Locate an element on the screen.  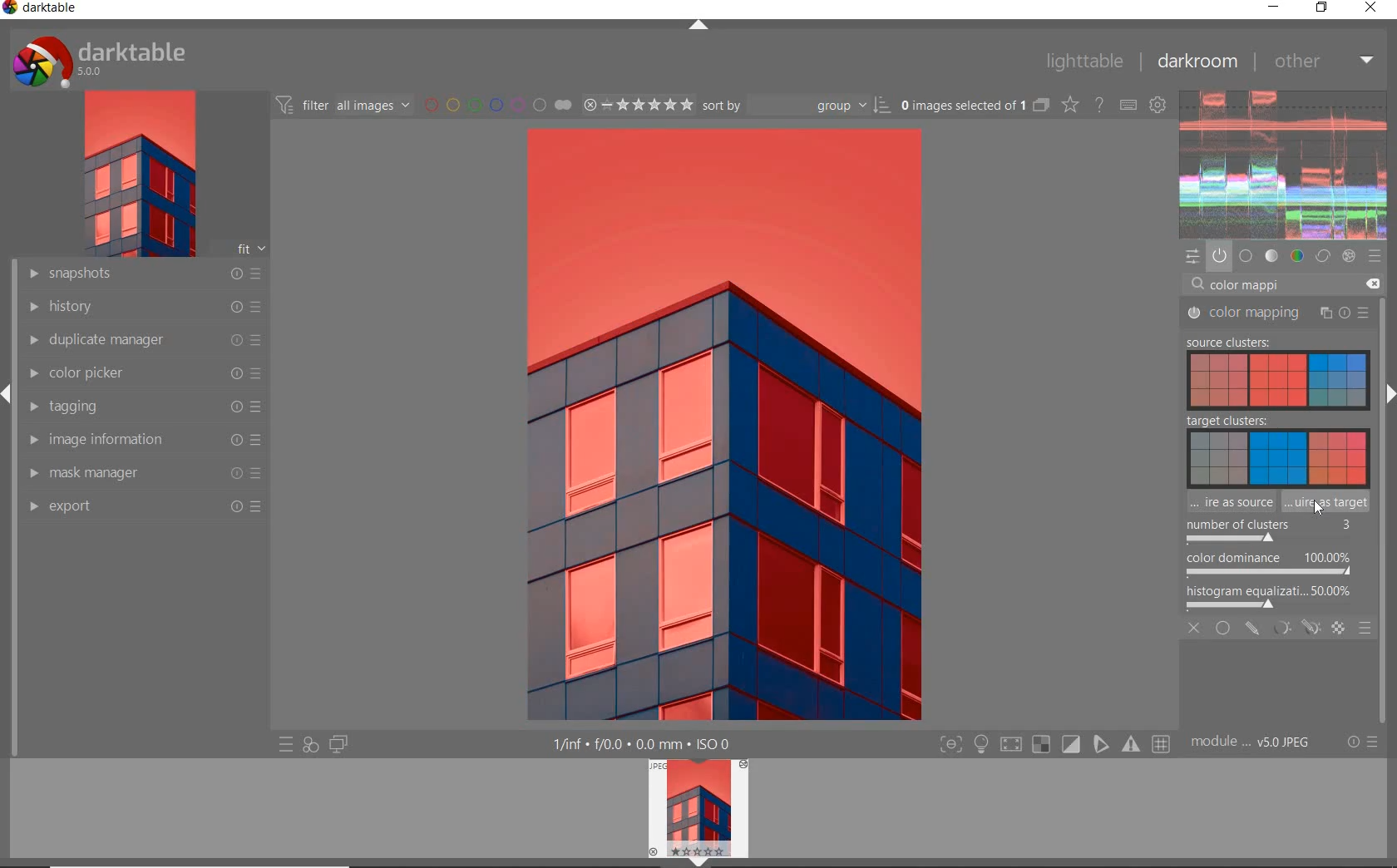
selected image range rating is located at coordinates (636, 104).